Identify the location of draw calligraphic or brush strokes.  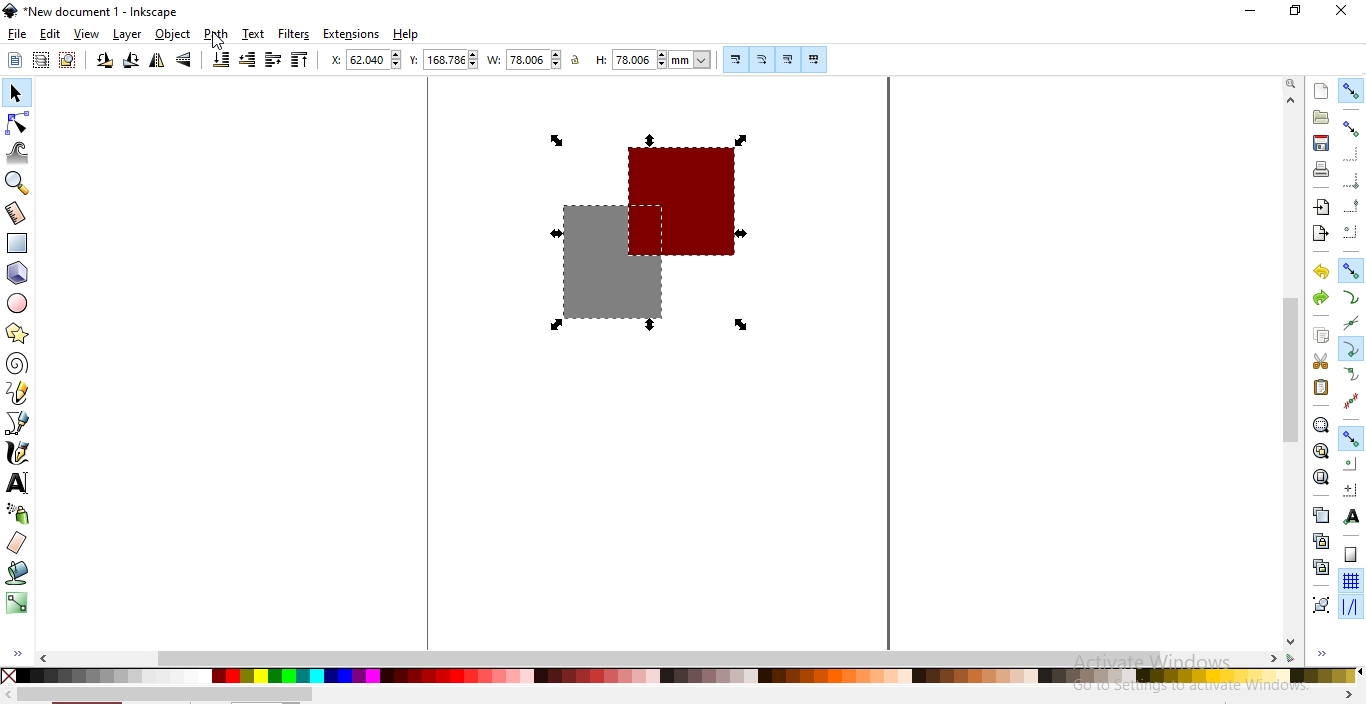
(18, 454).